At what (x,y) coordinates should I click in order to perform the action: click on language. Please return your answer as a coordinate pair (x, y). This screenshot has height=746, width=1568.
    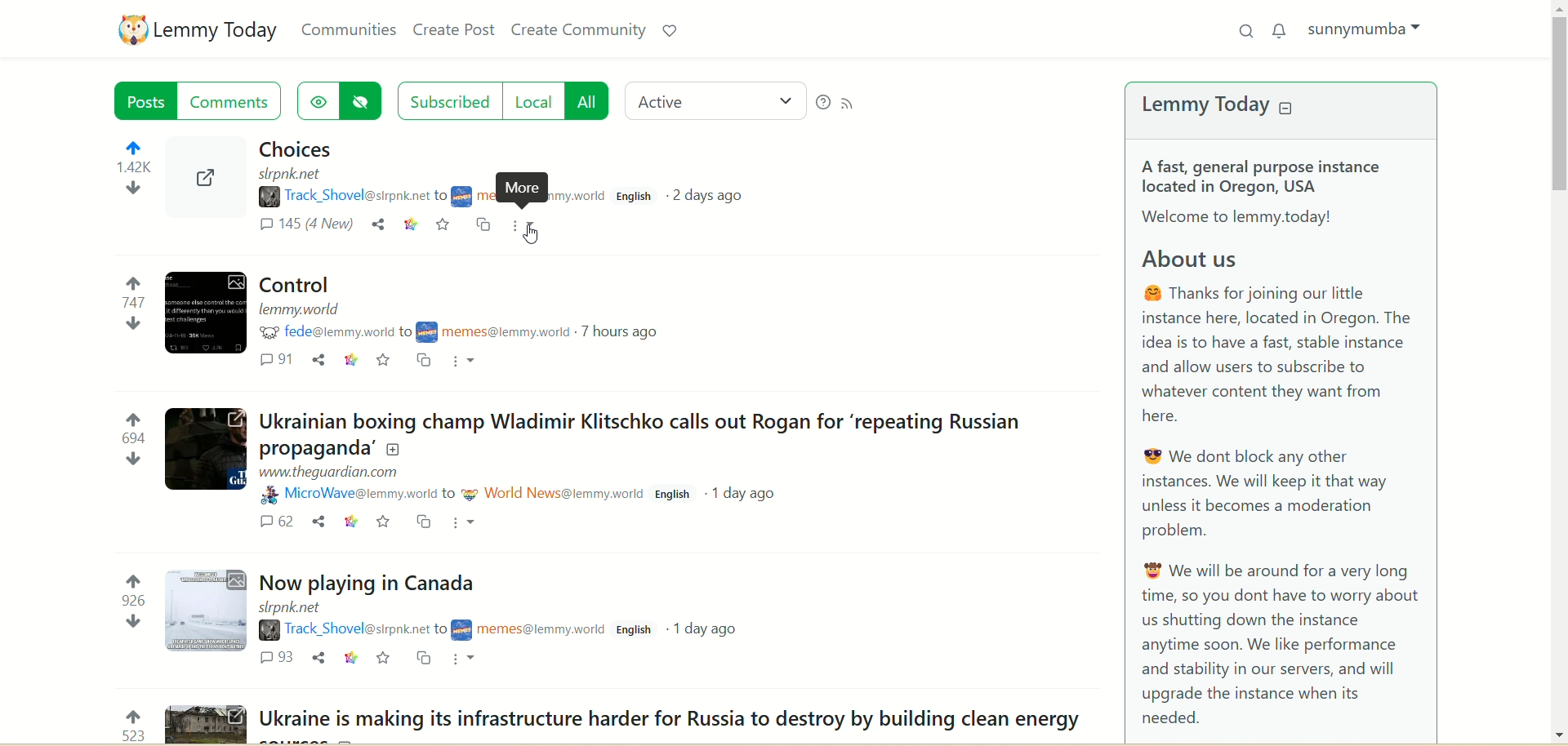
    Looking at the image, I should click on (636, 198).